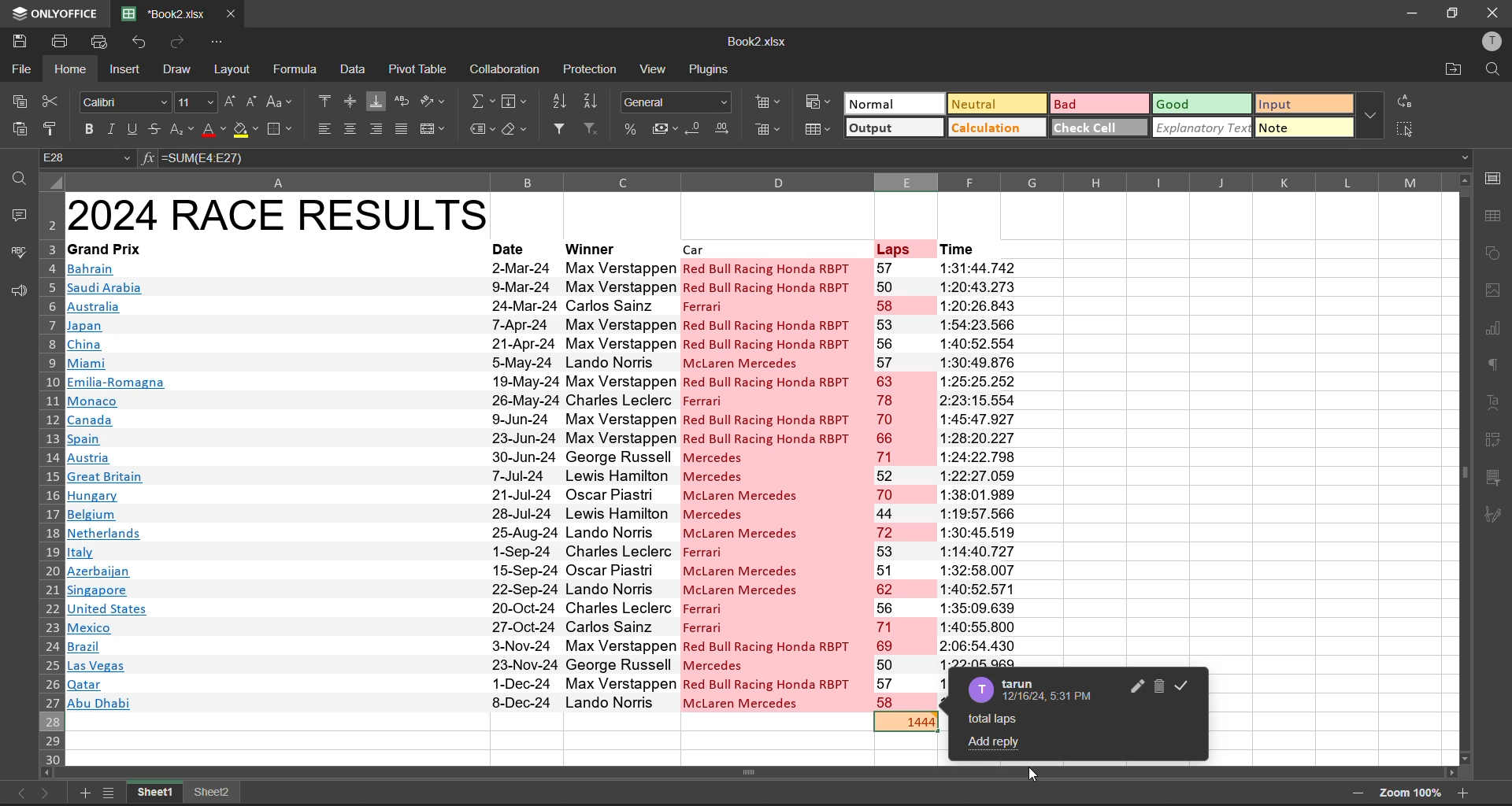 This screenshot has height=806, width=1512. What do you see at coordinates (1494, 519) in the screenshot?
I see `signature` at bounding box center [1494, 519].